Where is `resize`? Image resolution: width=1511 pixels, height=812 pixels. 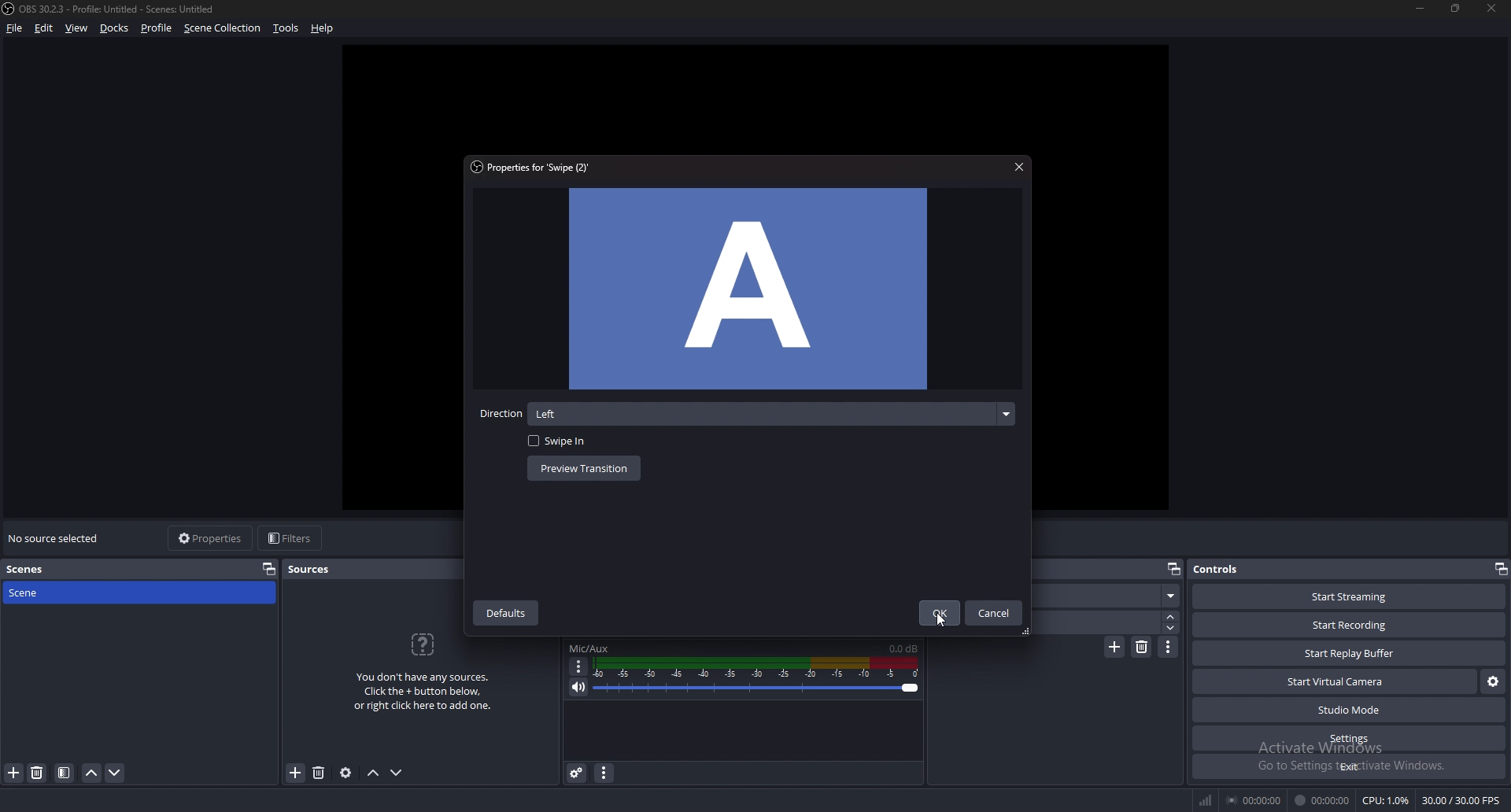
resize is located at coordinates (1456, 9).